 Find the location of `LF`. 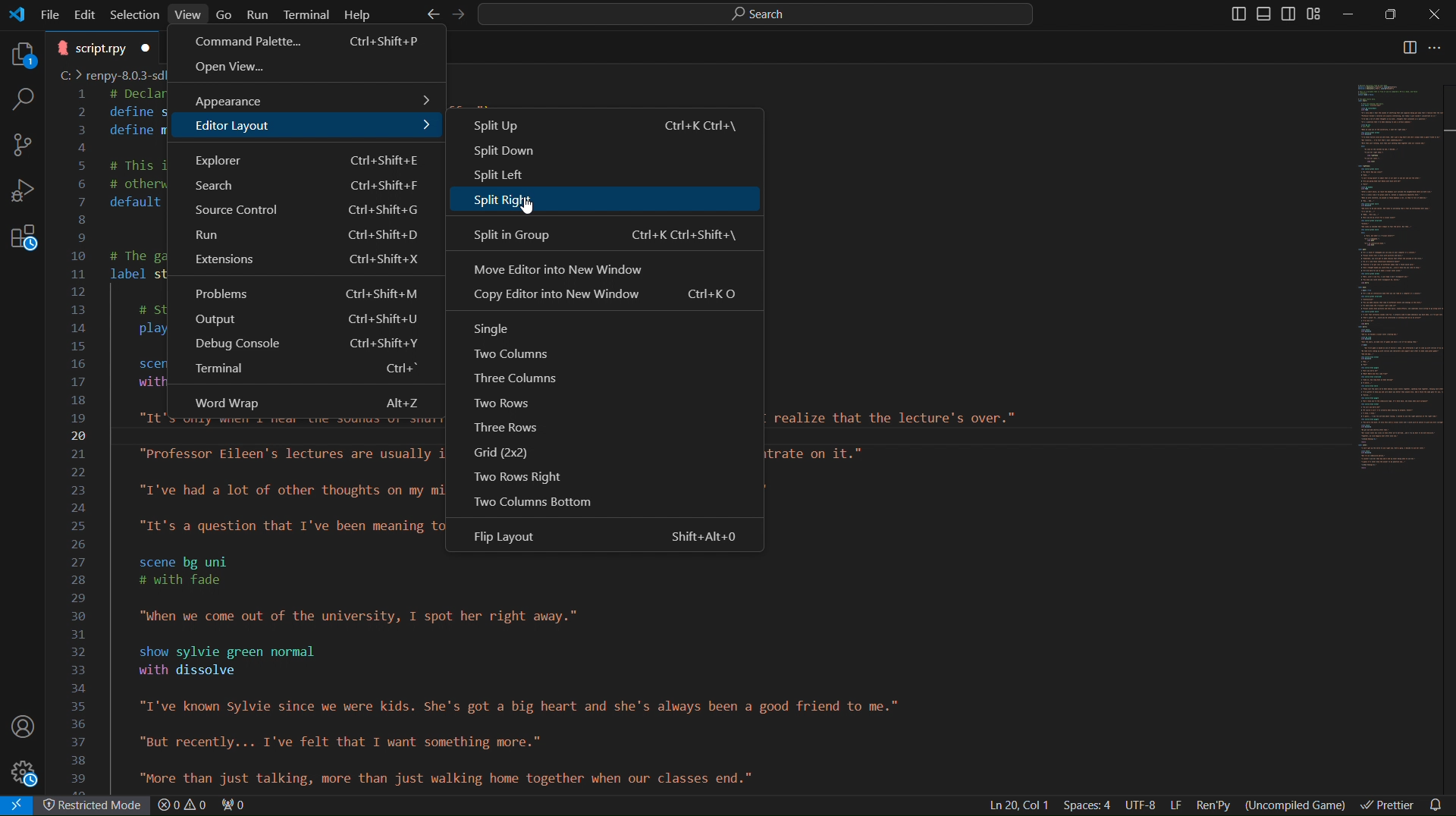

LF is located at coordinates (1176, 805).